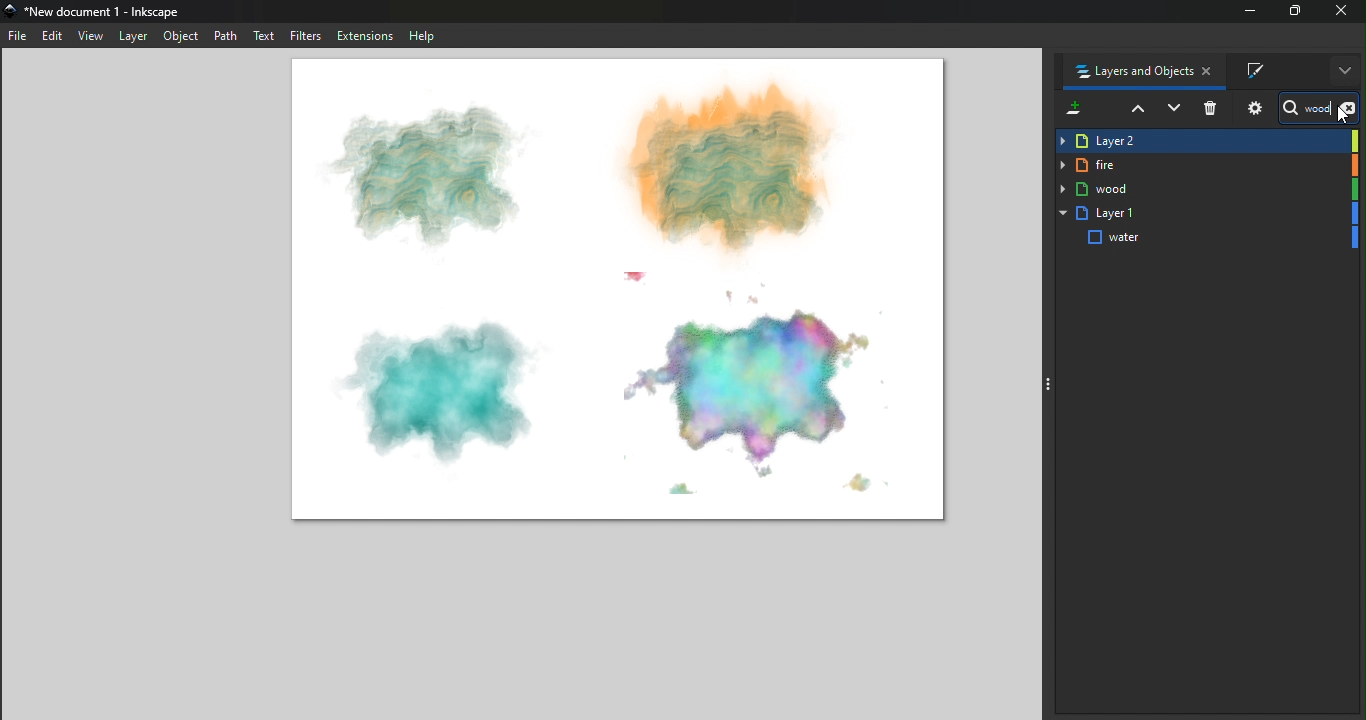 The image size is (1366, 720). What do you see at coordinates (1340, 114) in the screenshot?
I see `cursor` at bounding box center [1340, 114].